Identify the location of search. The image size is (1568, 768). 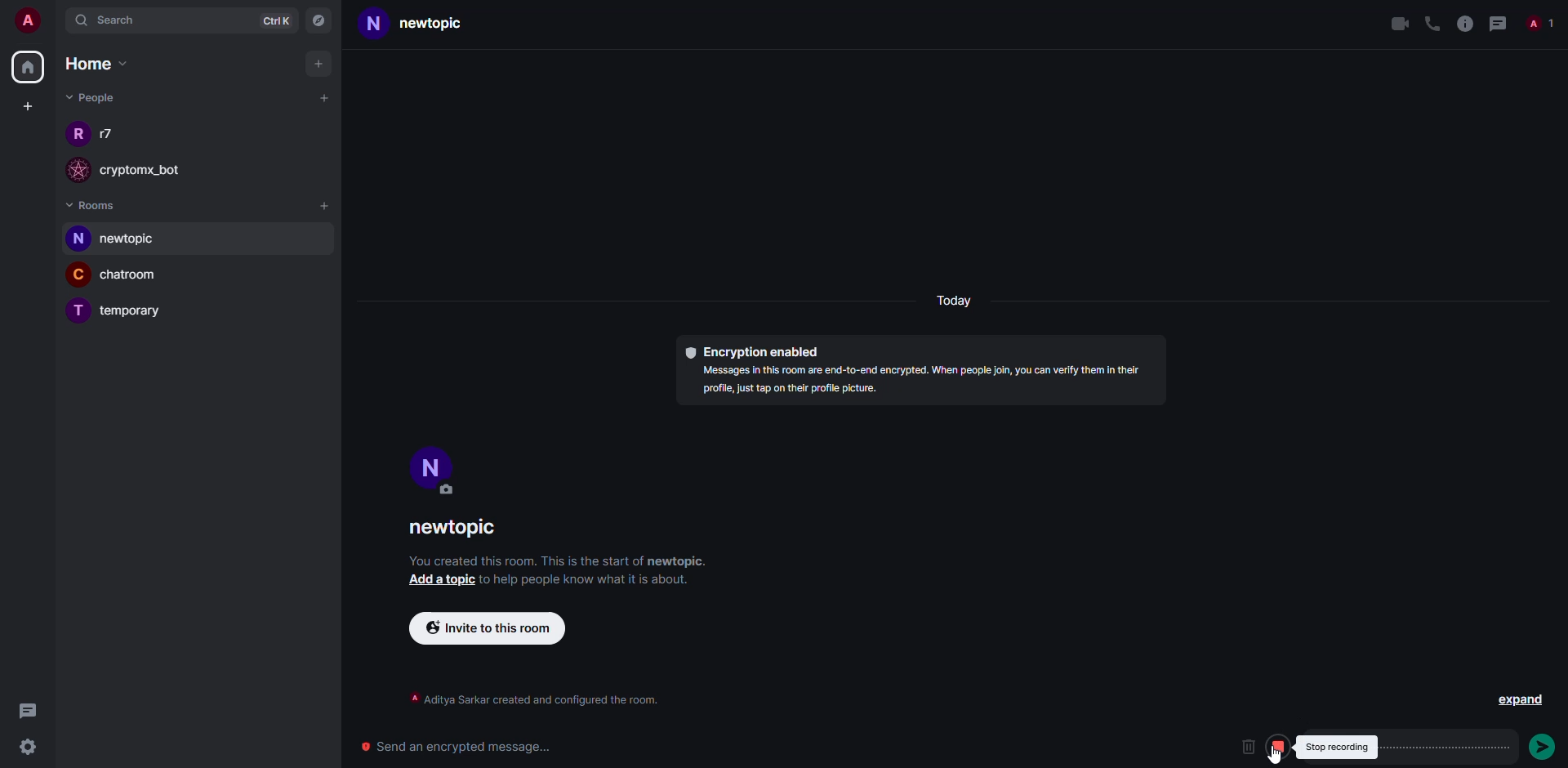
(110, 21).